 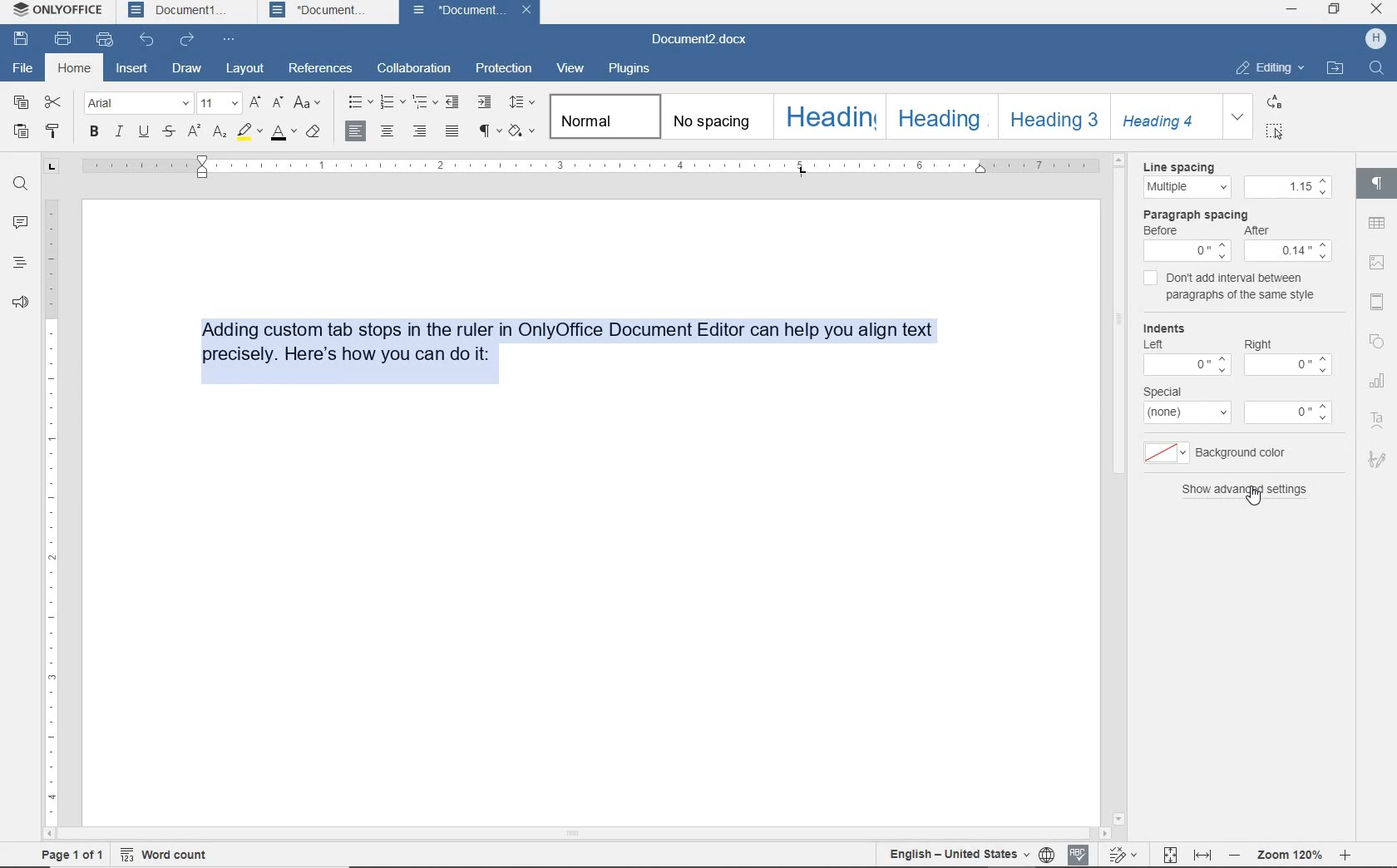 What do you see at coordinates (1289, 251) in the screenshot?
I see `` at bounding box center [1289, 251].